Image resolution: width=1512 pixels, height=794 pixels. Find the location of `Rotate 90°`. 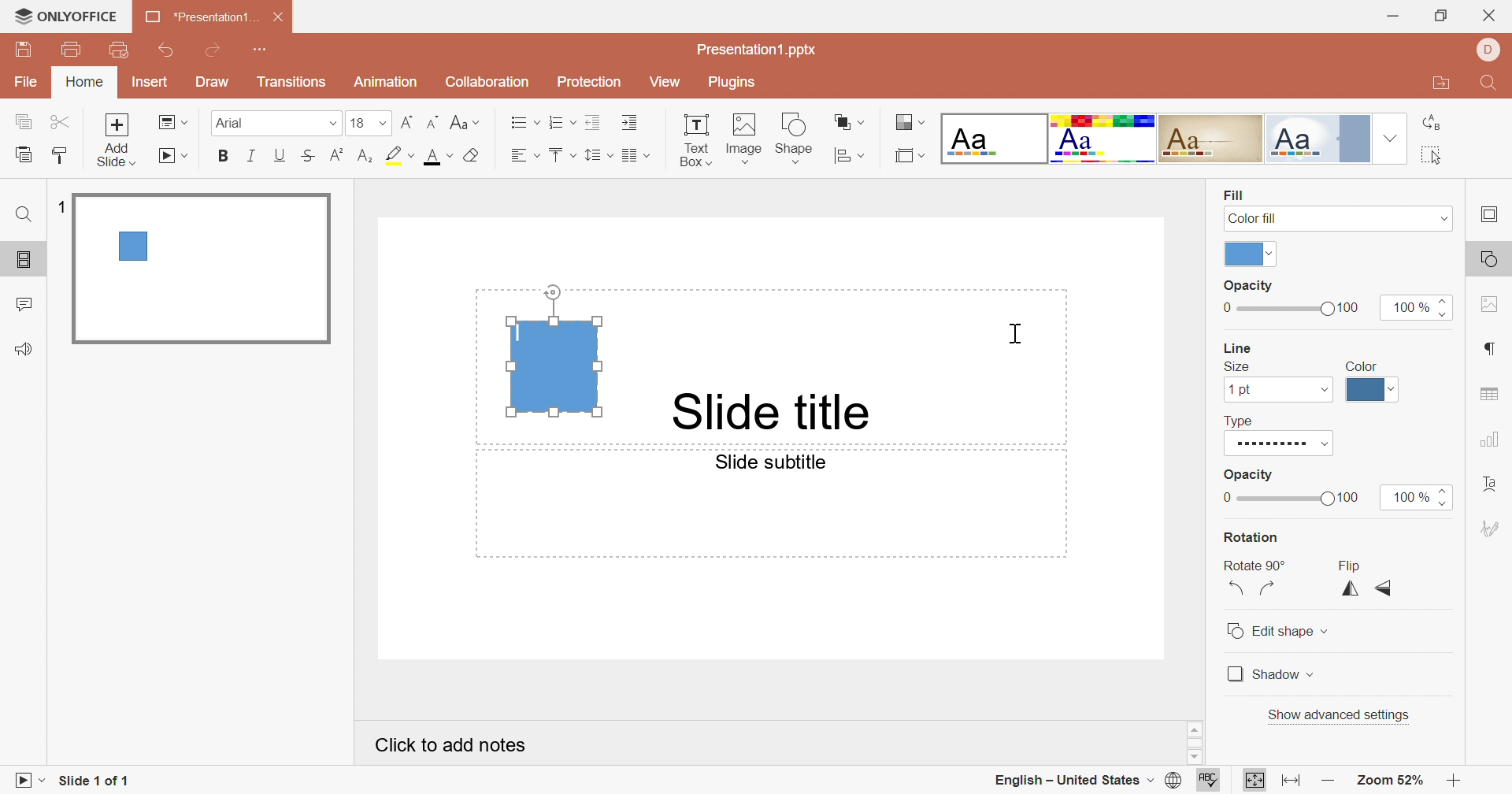

Rotate 90° is located at coordinates (1255, 565).